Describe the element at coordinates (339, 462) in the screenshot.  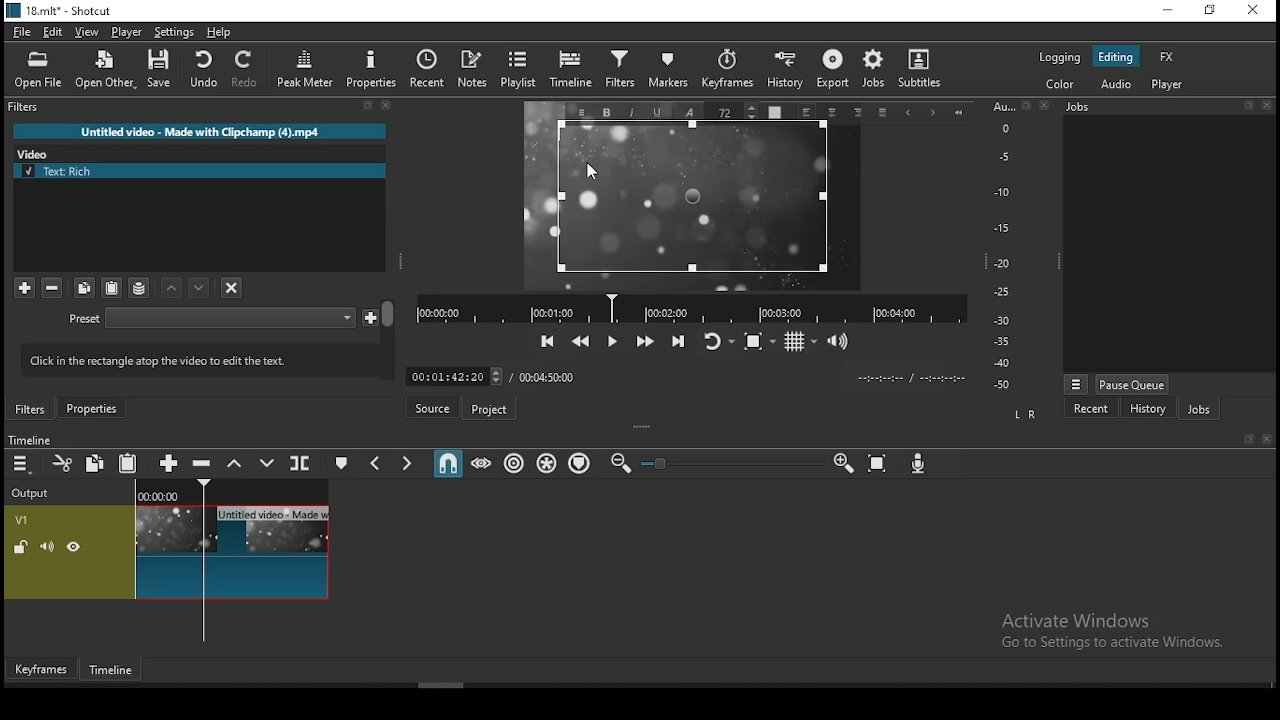
I see `create/edit marker` at that location.